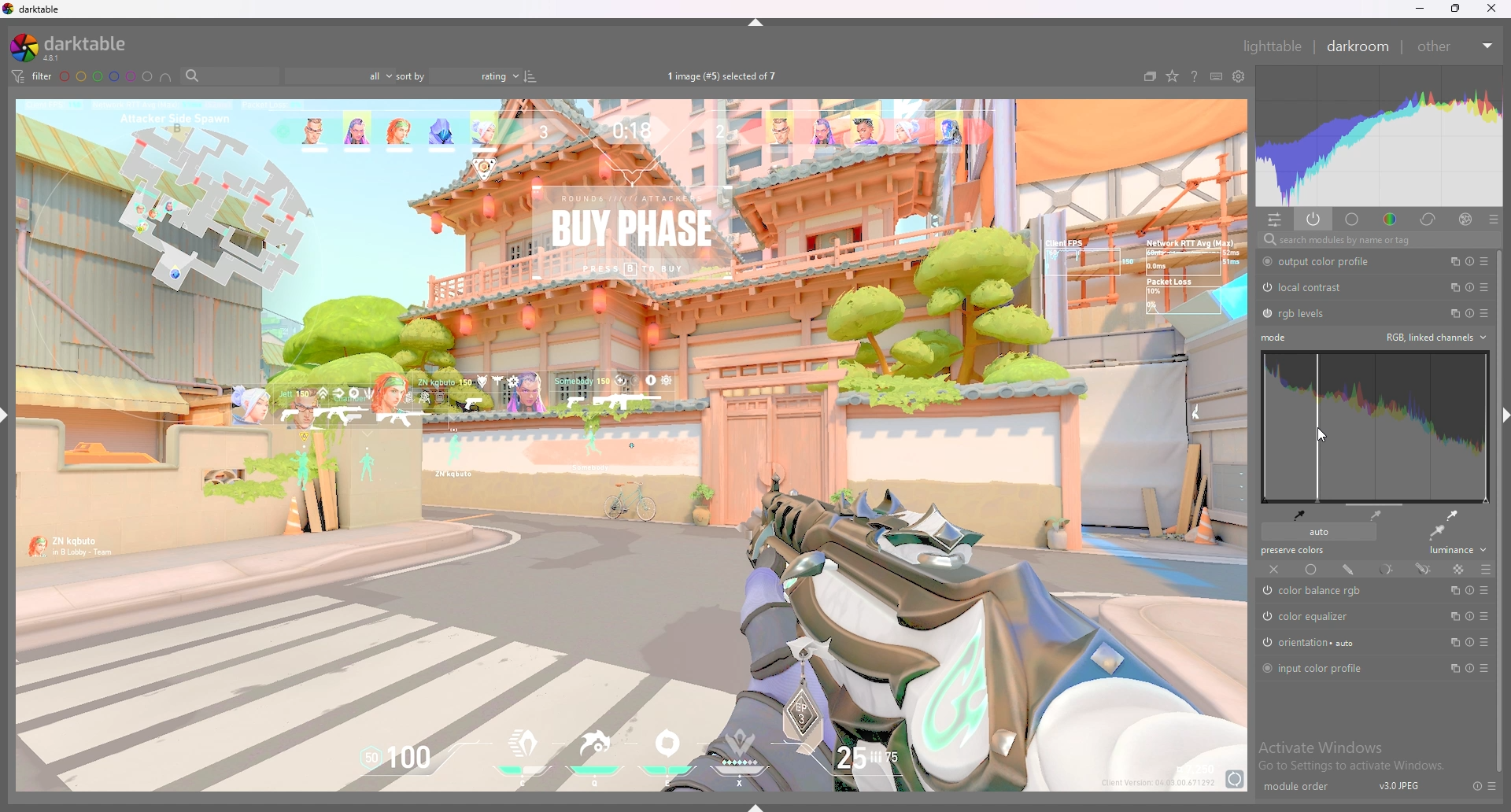  What do you see at coordinates (1385, 569) in the screenshot?
I see `parametric mask` at bounding box center [1385, 569].